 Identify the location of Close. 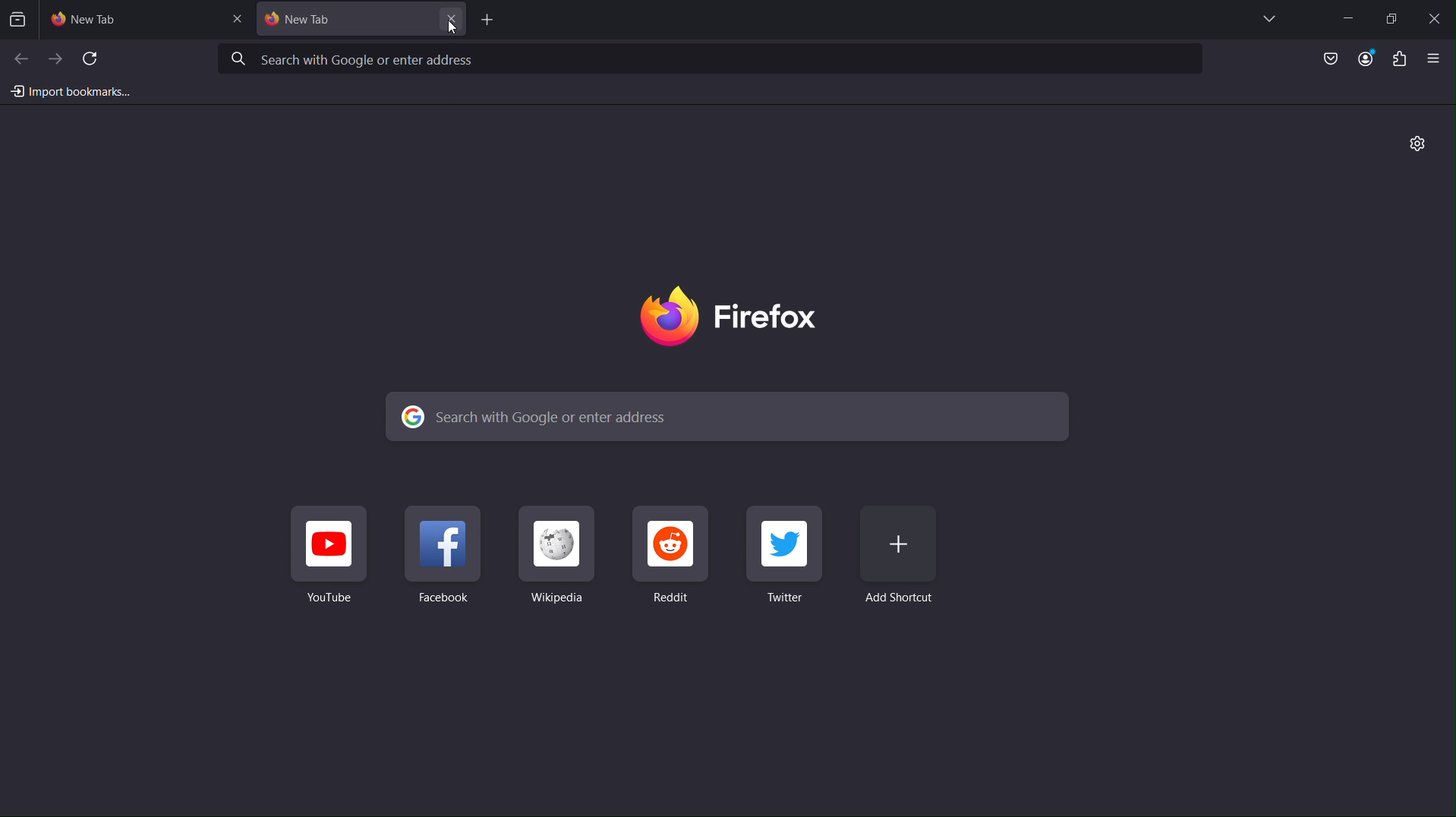
(1433, 17).